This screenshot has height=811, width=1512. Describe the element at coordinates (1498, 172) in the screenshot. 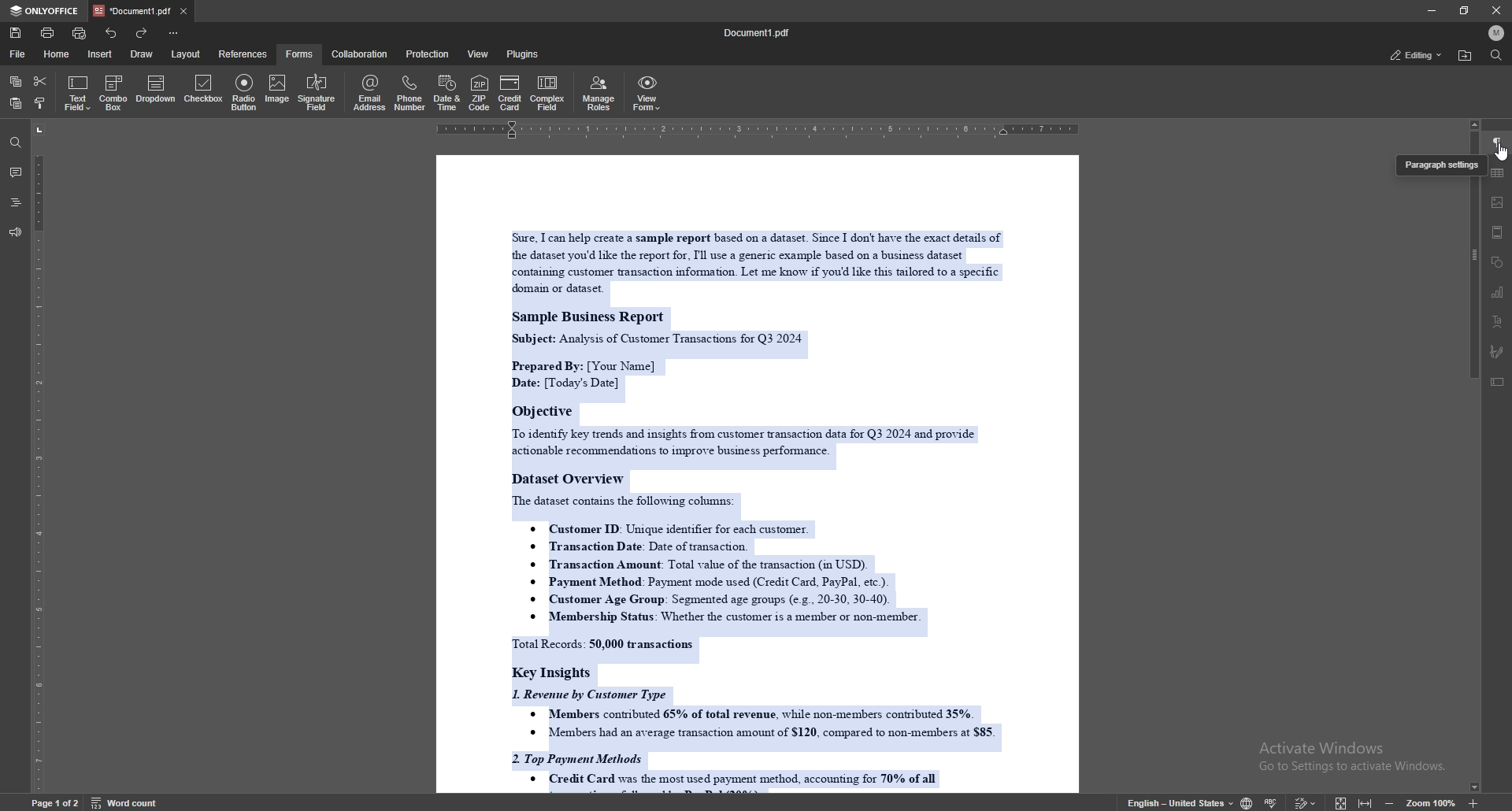

I see `table` at that location.